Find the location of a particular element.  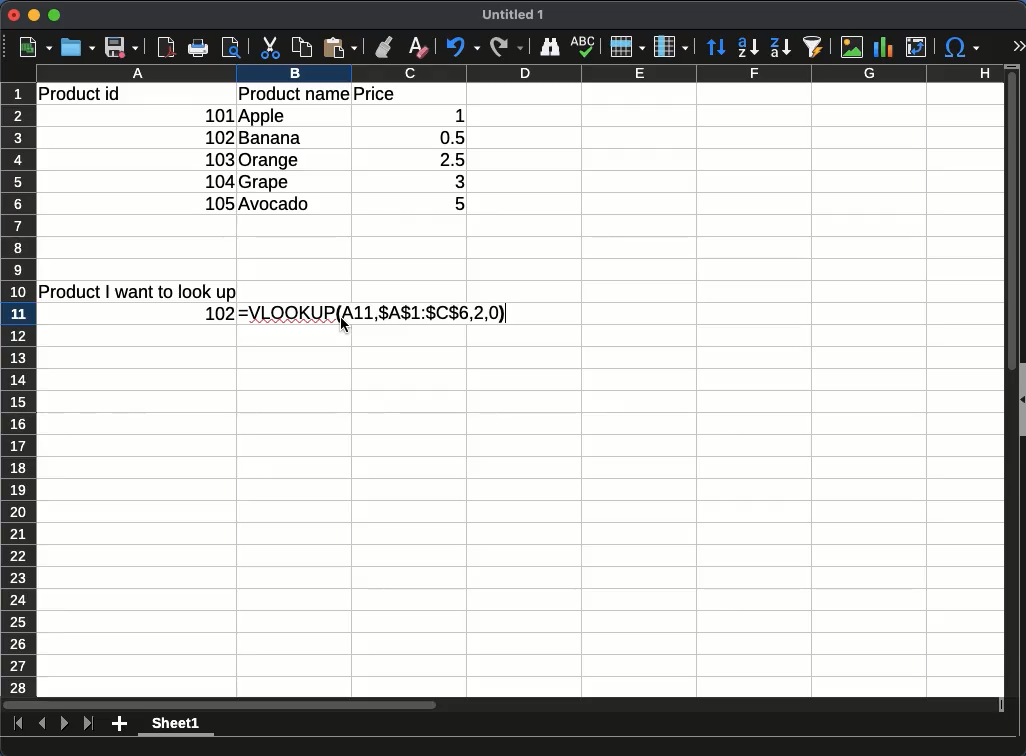

expand is located at coordinates (1018, 45).